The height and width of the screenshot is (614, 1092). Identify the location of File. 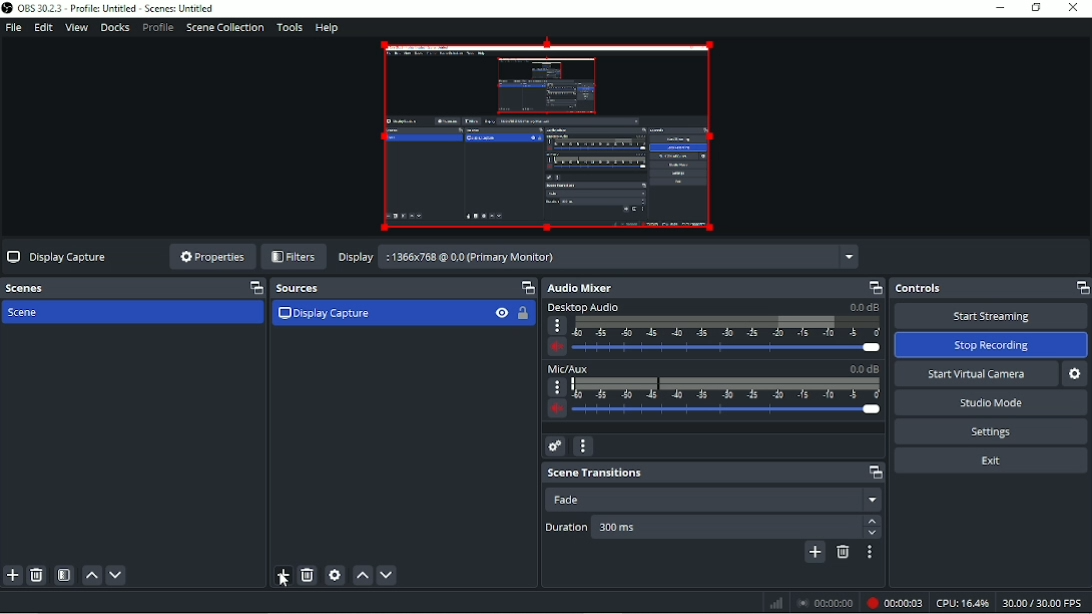
(12, 27).